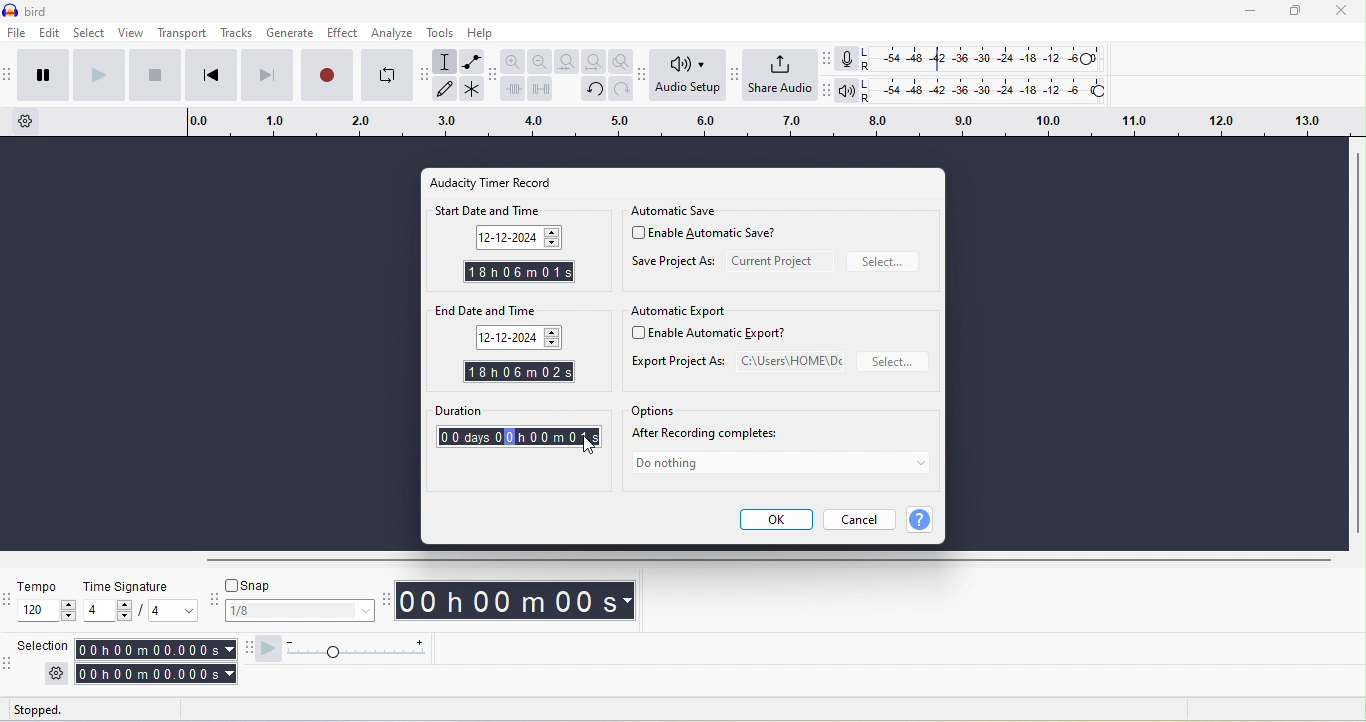 The image size is (1366, 722). I want to click on view, so click(134, 35).